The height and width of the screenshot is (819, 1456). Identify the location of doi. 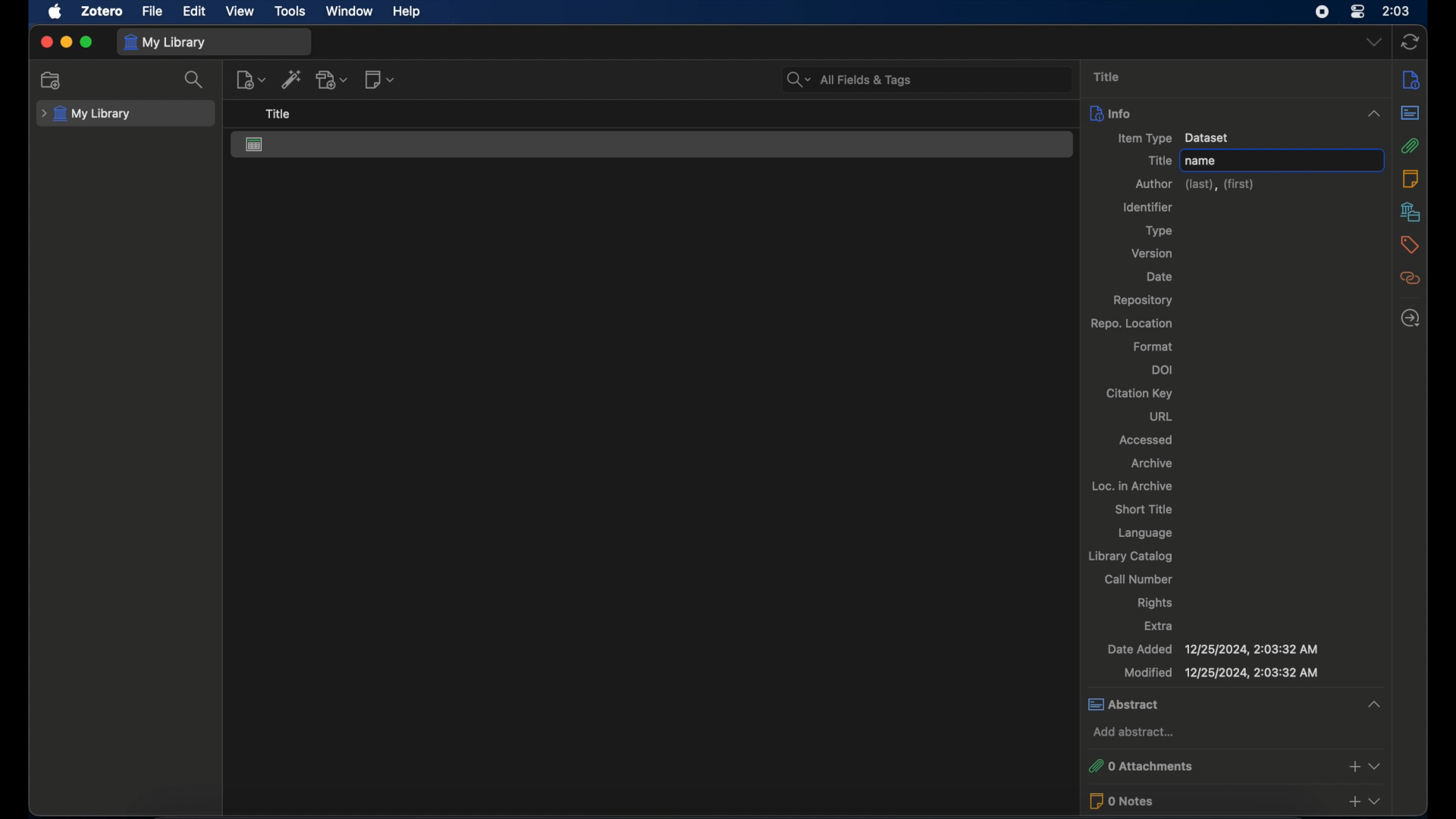
(1163, 369).